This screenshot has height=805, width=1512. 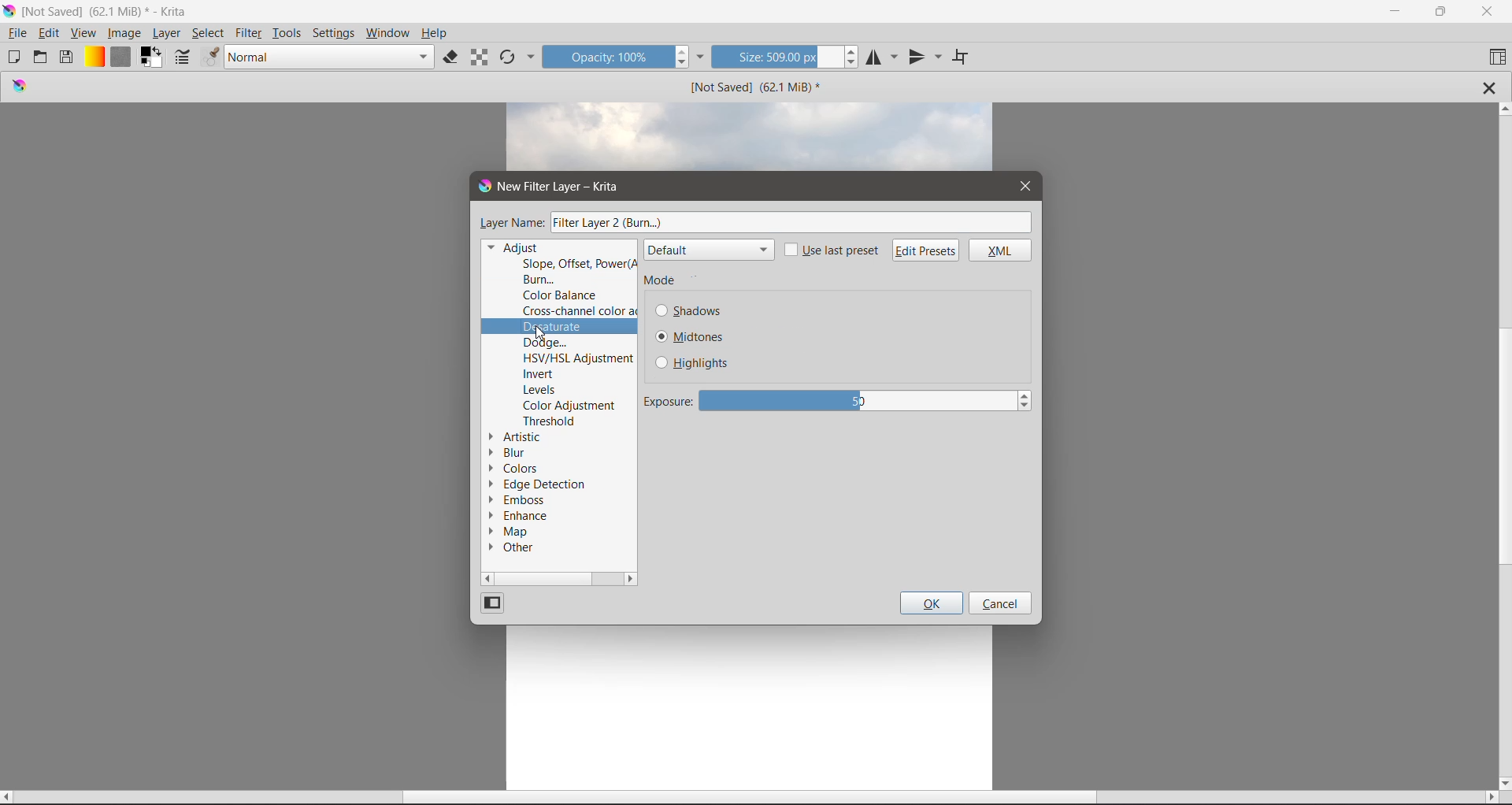 I want to click on Opacity, so click(x=606, y=58).